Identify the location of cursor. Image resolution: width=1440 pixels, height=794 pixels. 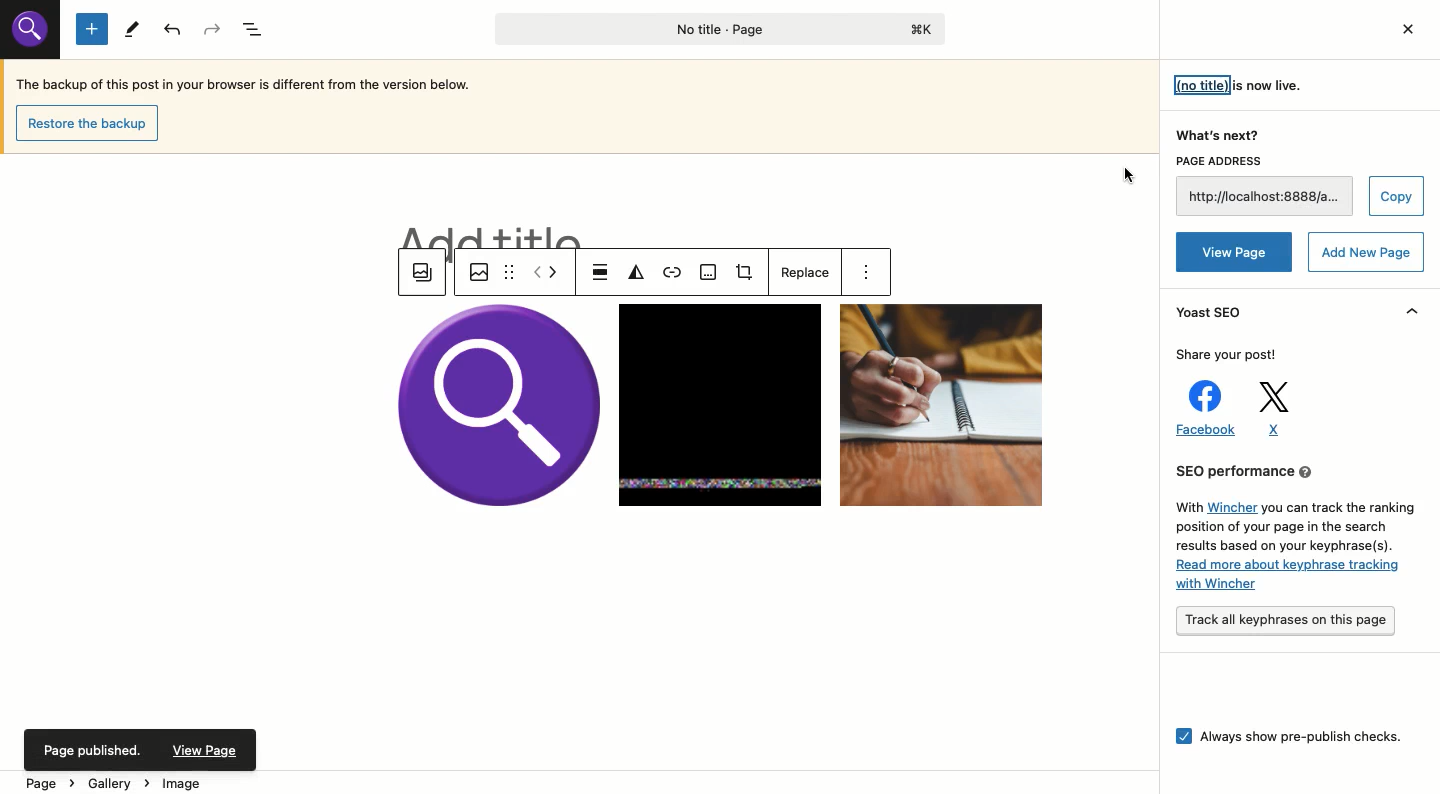
(1131, 180).